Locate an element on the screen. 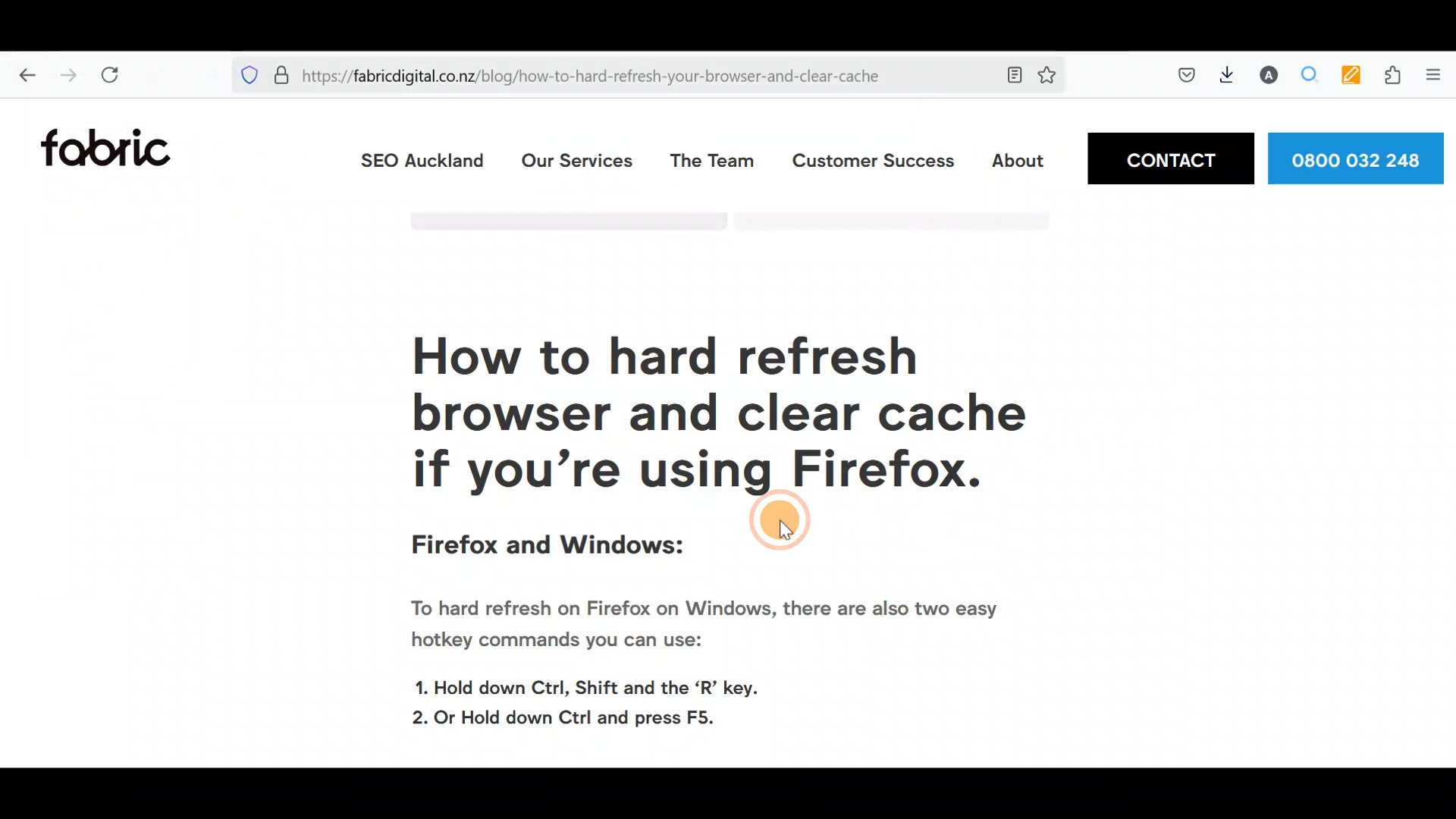  https://fabricdigital.co.nz/blog/how-to-hard-refresh-your-browser-and-clear-cache is located at coordinates (601, 76).